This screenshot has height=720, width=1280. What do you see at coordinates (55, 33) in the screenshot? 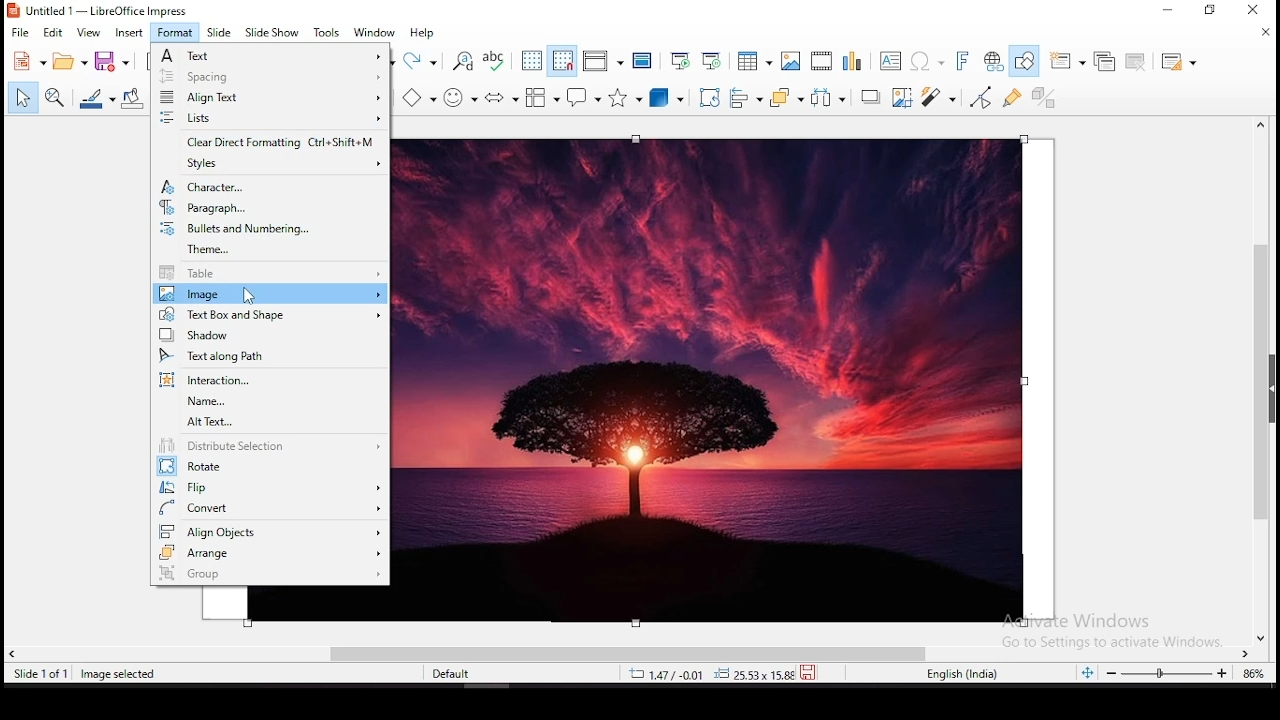
I see `edit` at bounding box center [55, 33].